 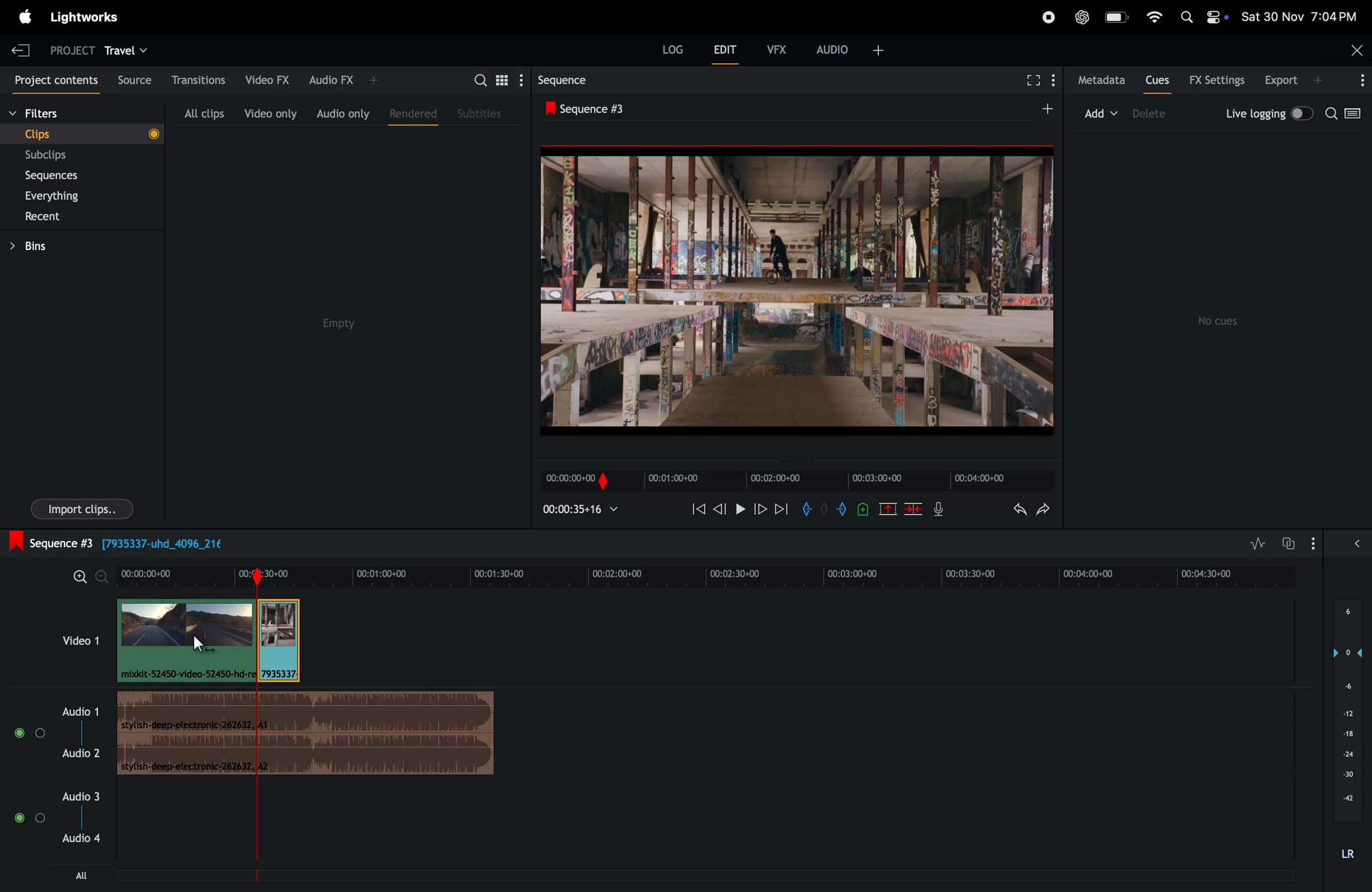 What do you see at coordinates (495, 79) in the screenshot?
I see `search menu` at bounding box center [495, 79].